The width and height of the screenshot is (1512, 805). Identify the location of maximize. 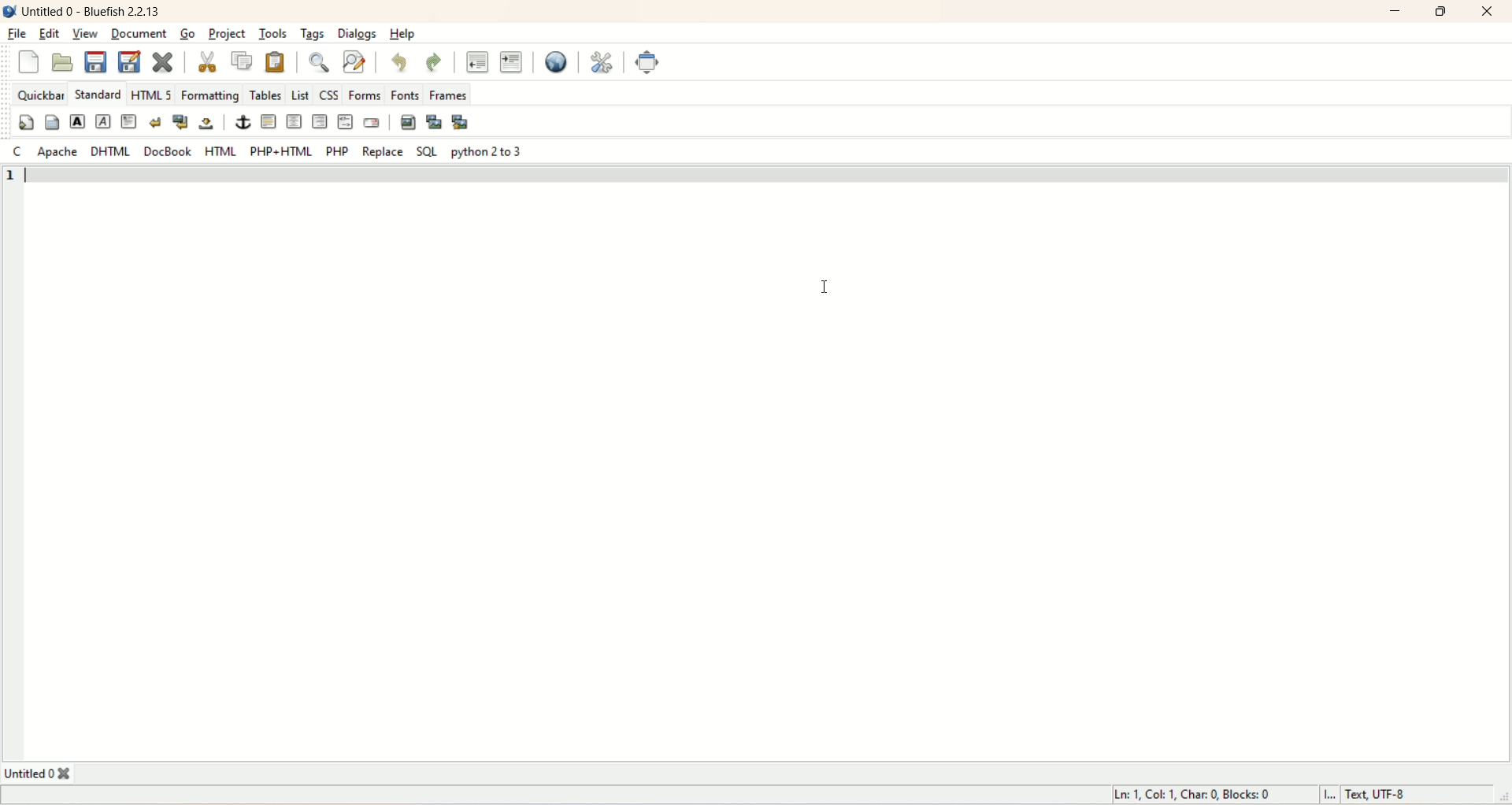
(1443, 12).